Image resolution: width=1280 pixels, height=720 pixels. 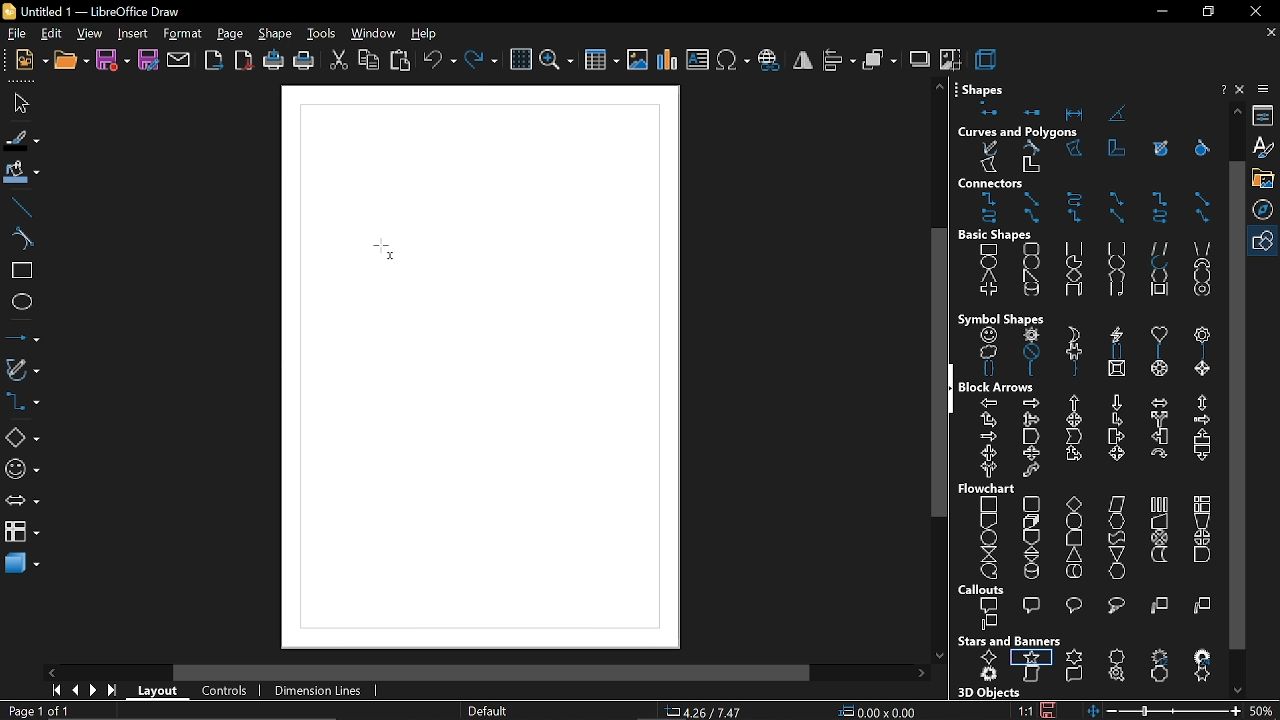 What do you see at coordinates (839, 61) in the screenshot?
I see `align` at bounding box center [839, 61].